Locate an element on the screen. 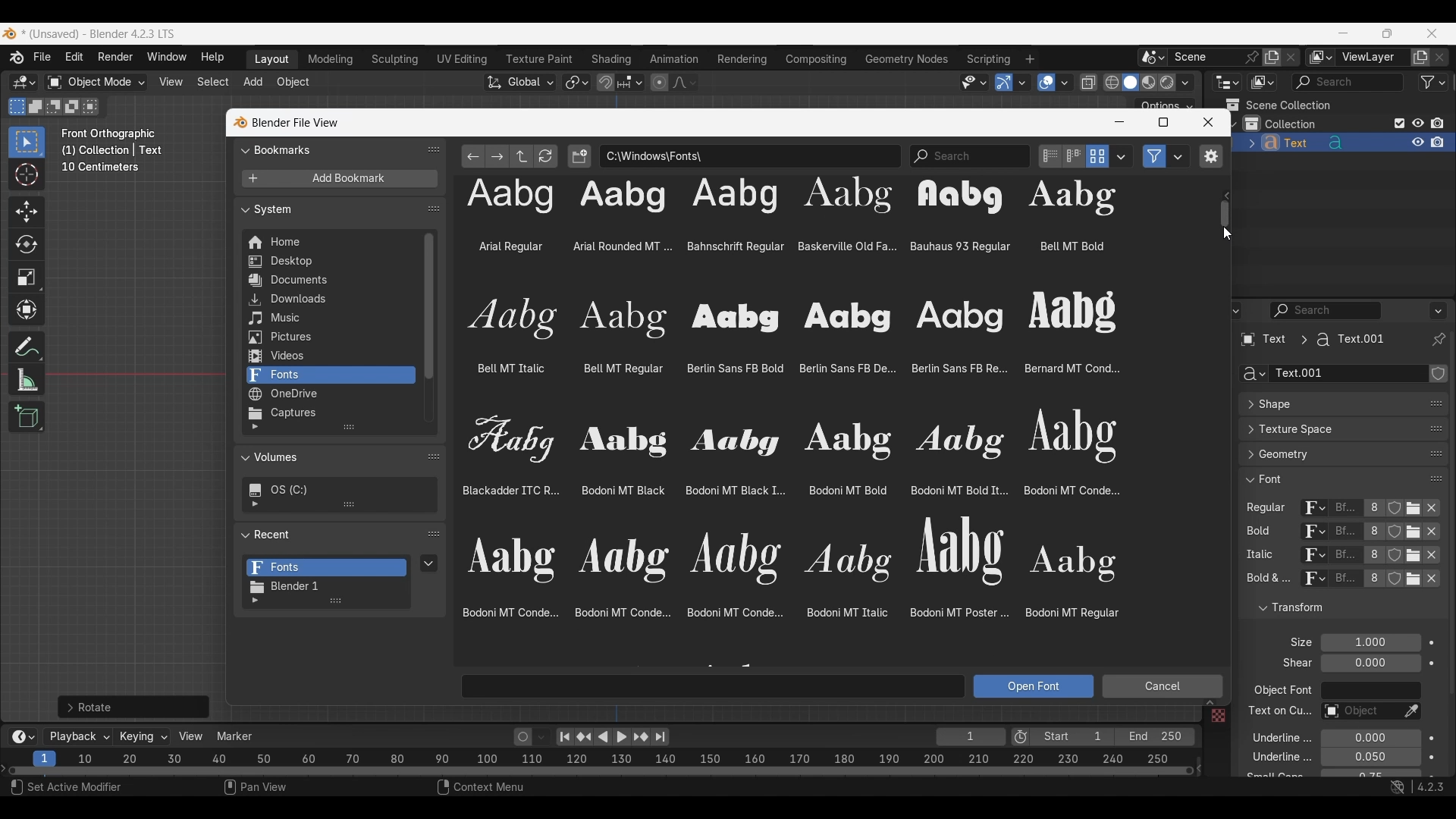 This screenshot has height=819, width=1456. bold is located at coordinates (1255, 534).